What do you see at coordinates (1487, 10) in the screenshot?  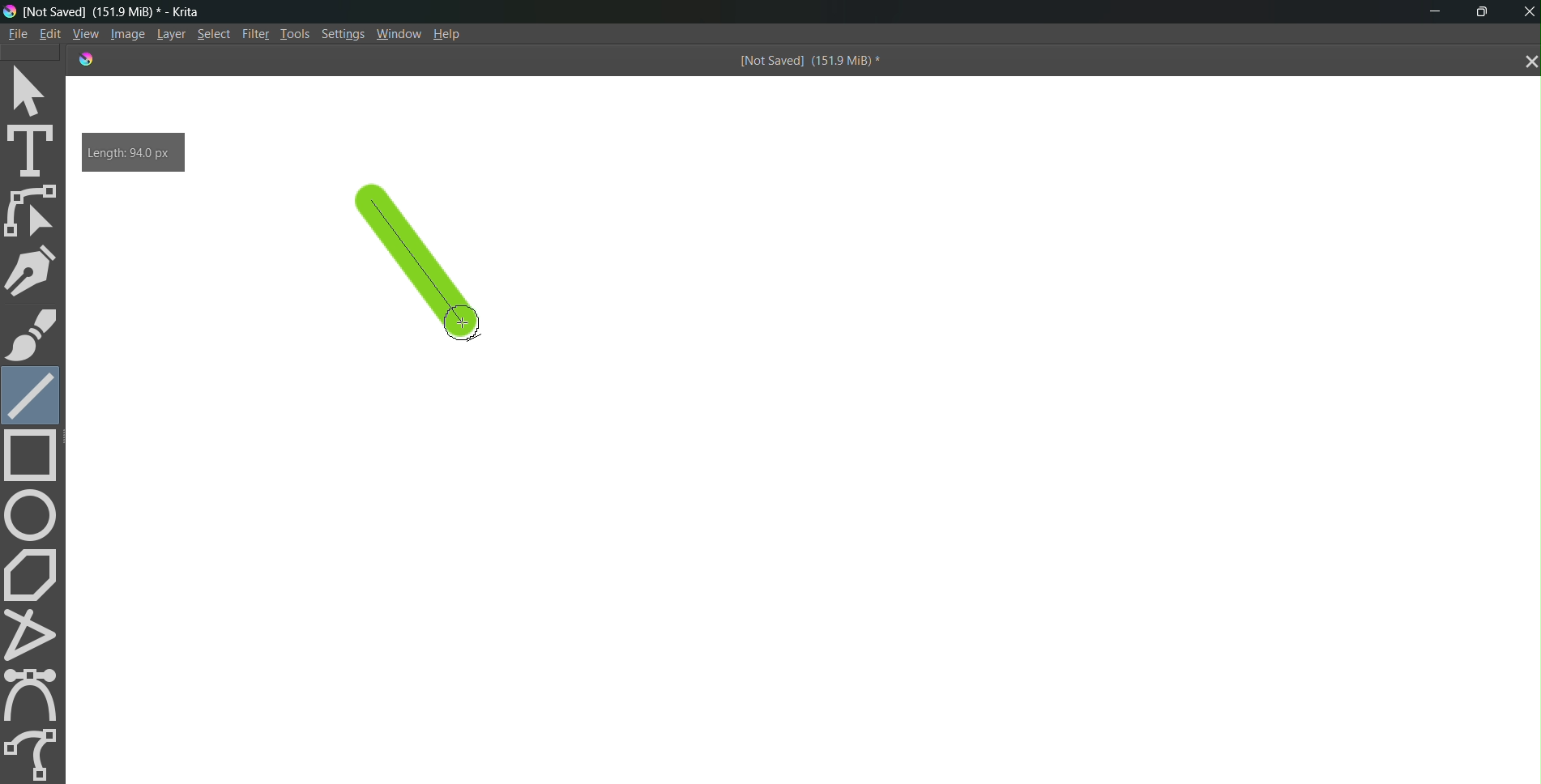 I see `maximize` at bounding box center [1487, 10].